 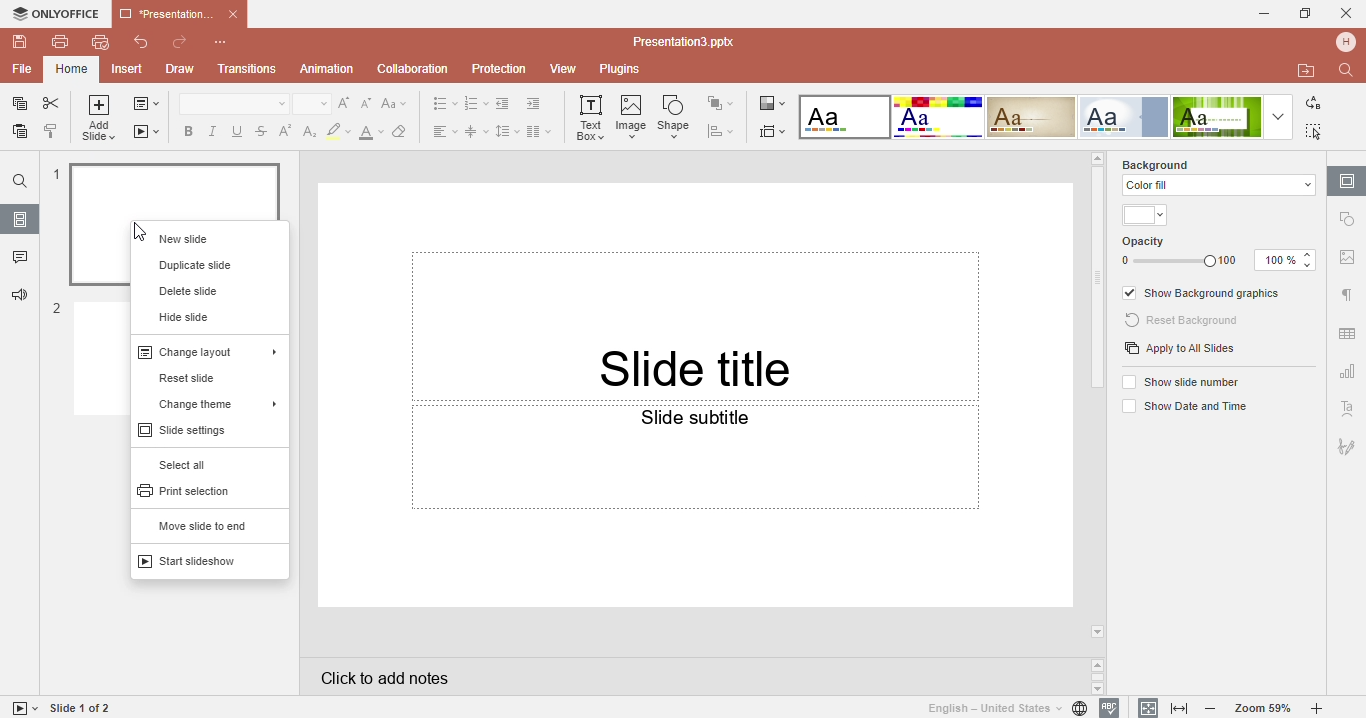 What do you see at coordinates (725, 131) in the screenshot?
I see `Align shape` at bounding box center [725, 131].